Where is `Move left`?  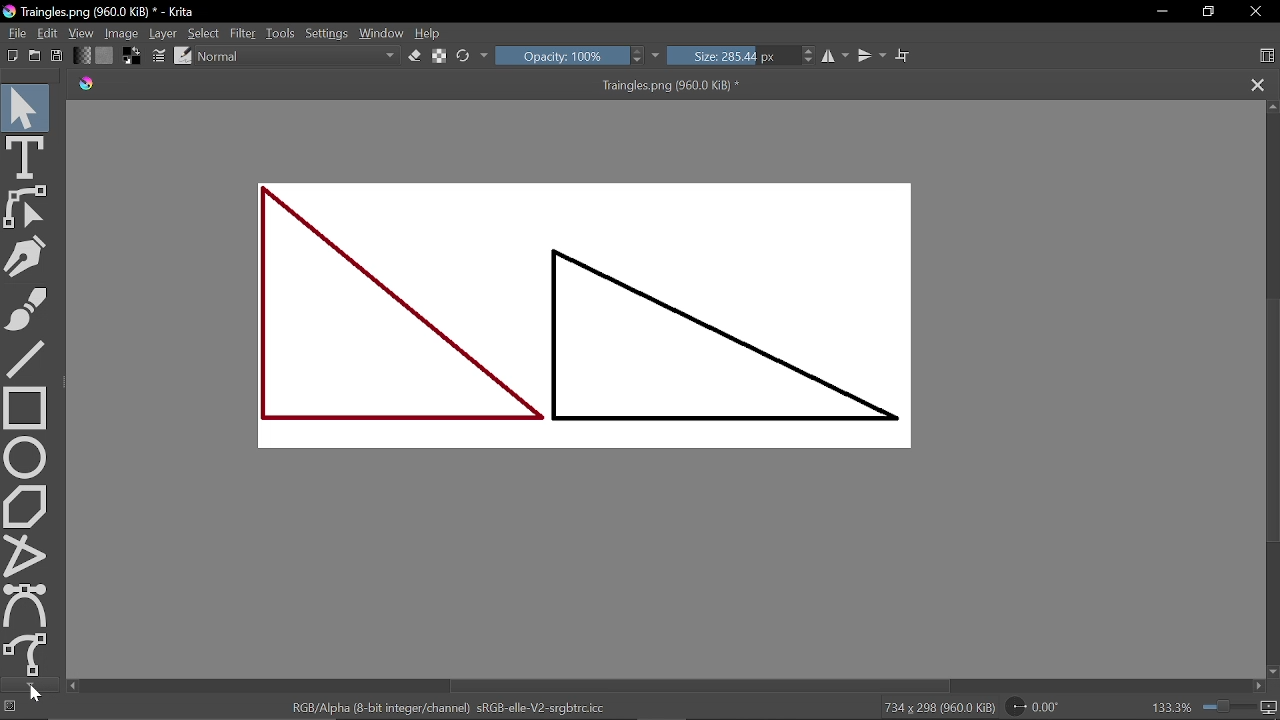
Move left is located at coordinates (72, 686).